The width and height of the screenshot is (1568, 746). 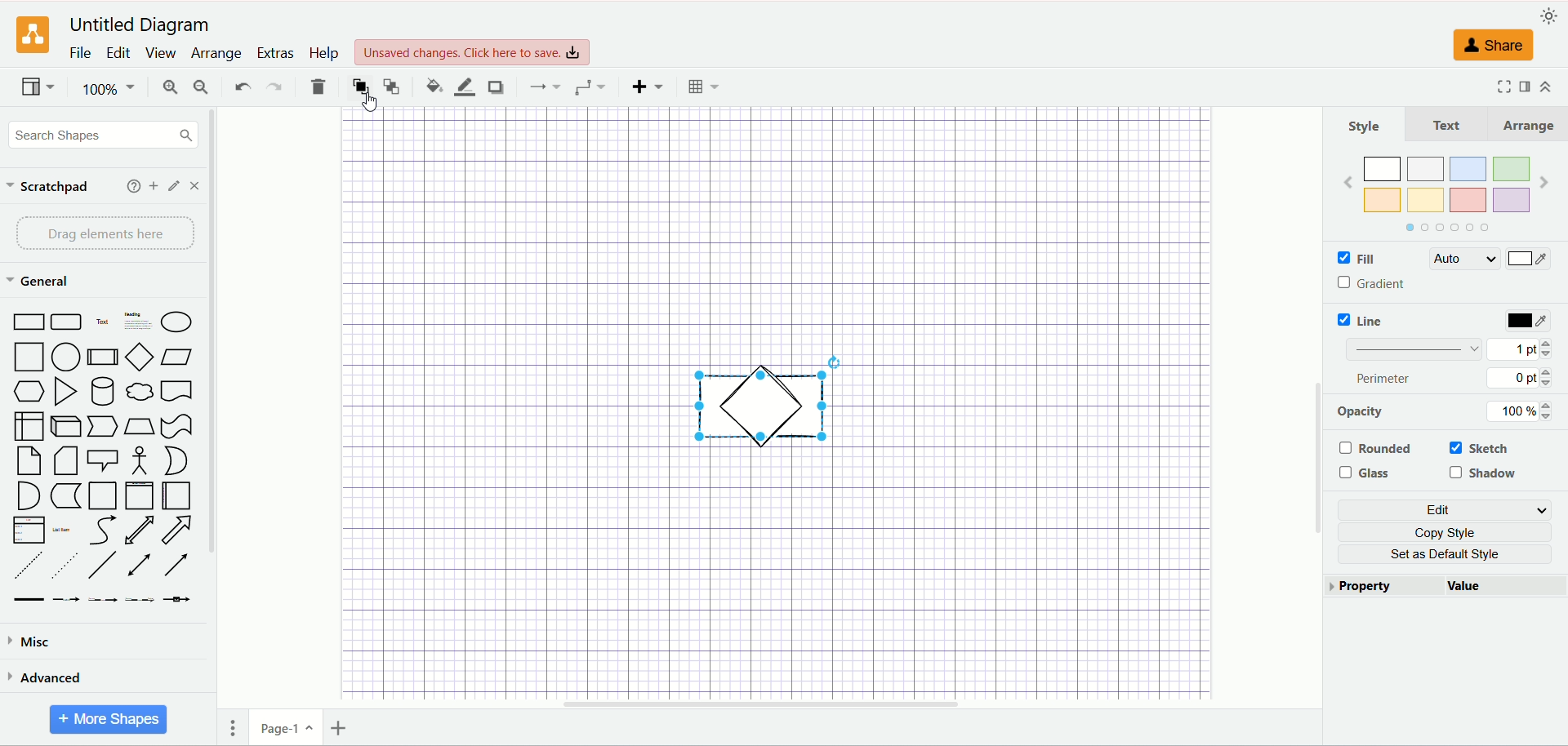 I want to click on set as default, so click(x=1445, y=557).